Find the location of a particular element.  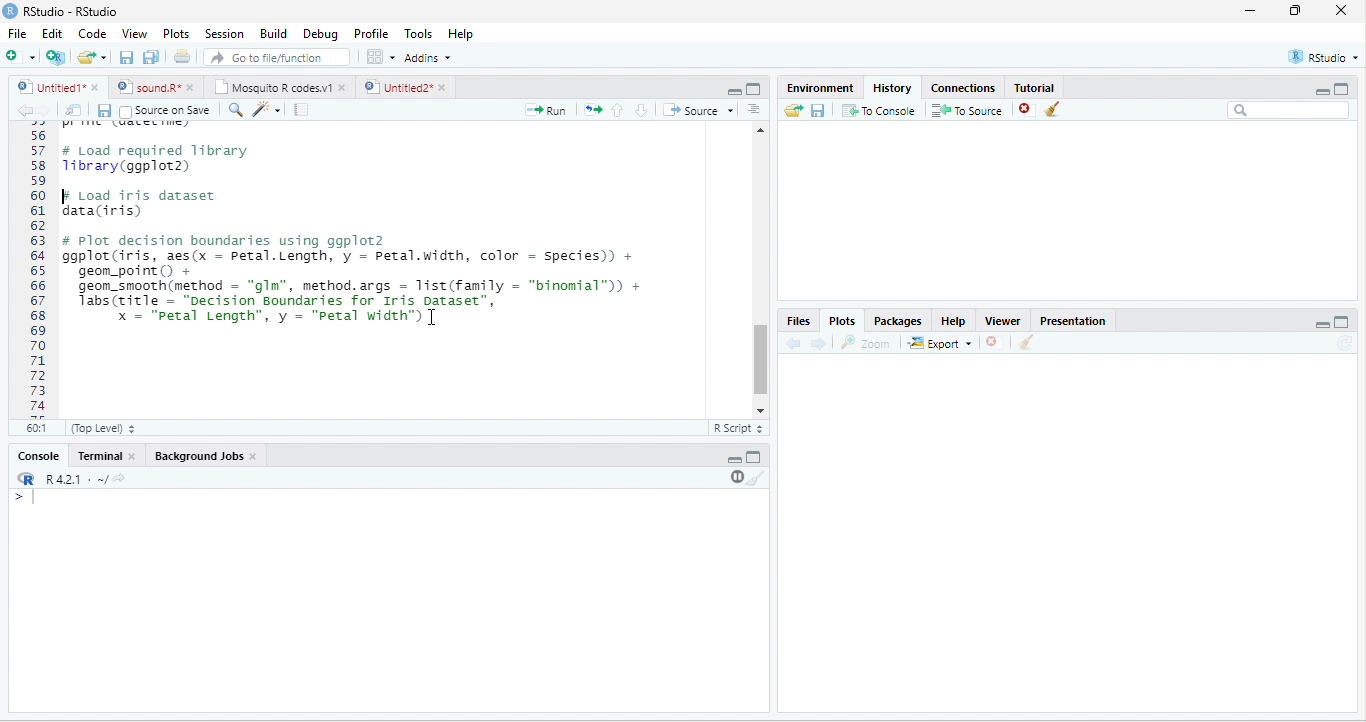

Line numbering is located at coordinates (37, 270).